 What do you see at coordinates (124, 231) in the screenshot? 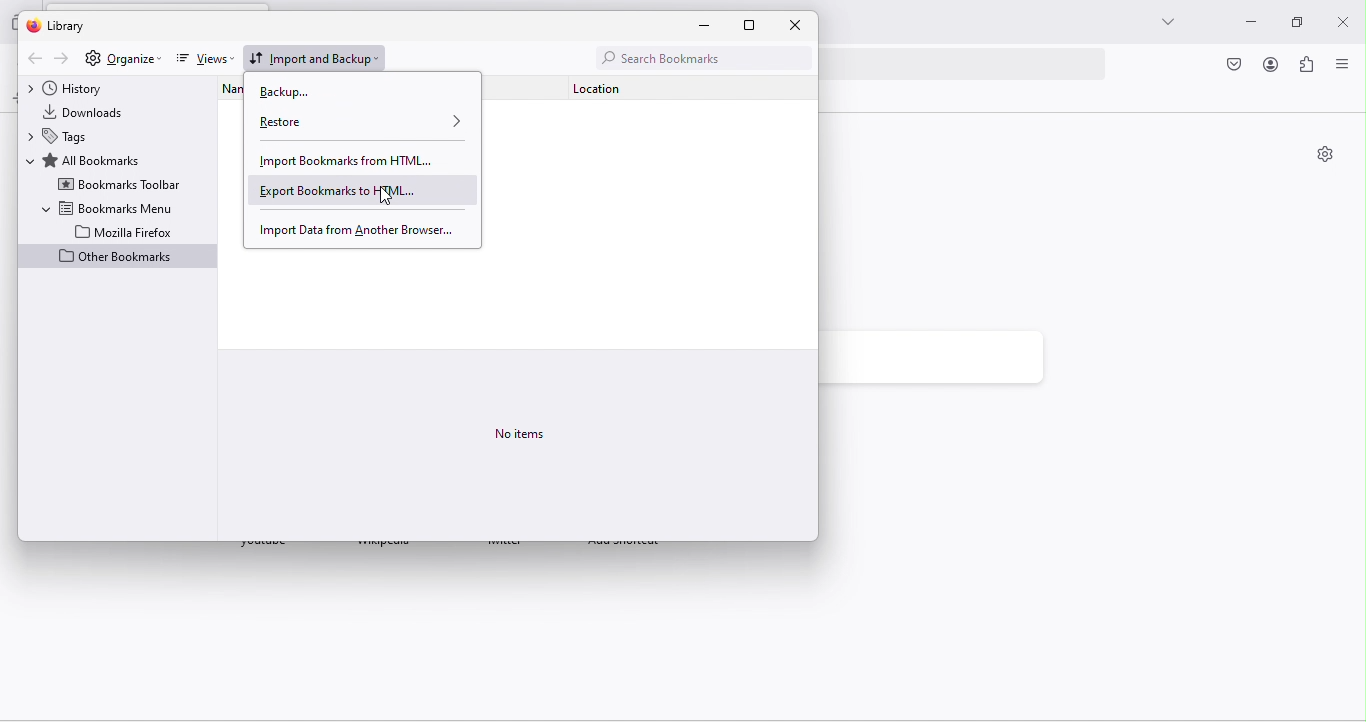
I see `mozilla firefox` at bounding box center [124, 231].